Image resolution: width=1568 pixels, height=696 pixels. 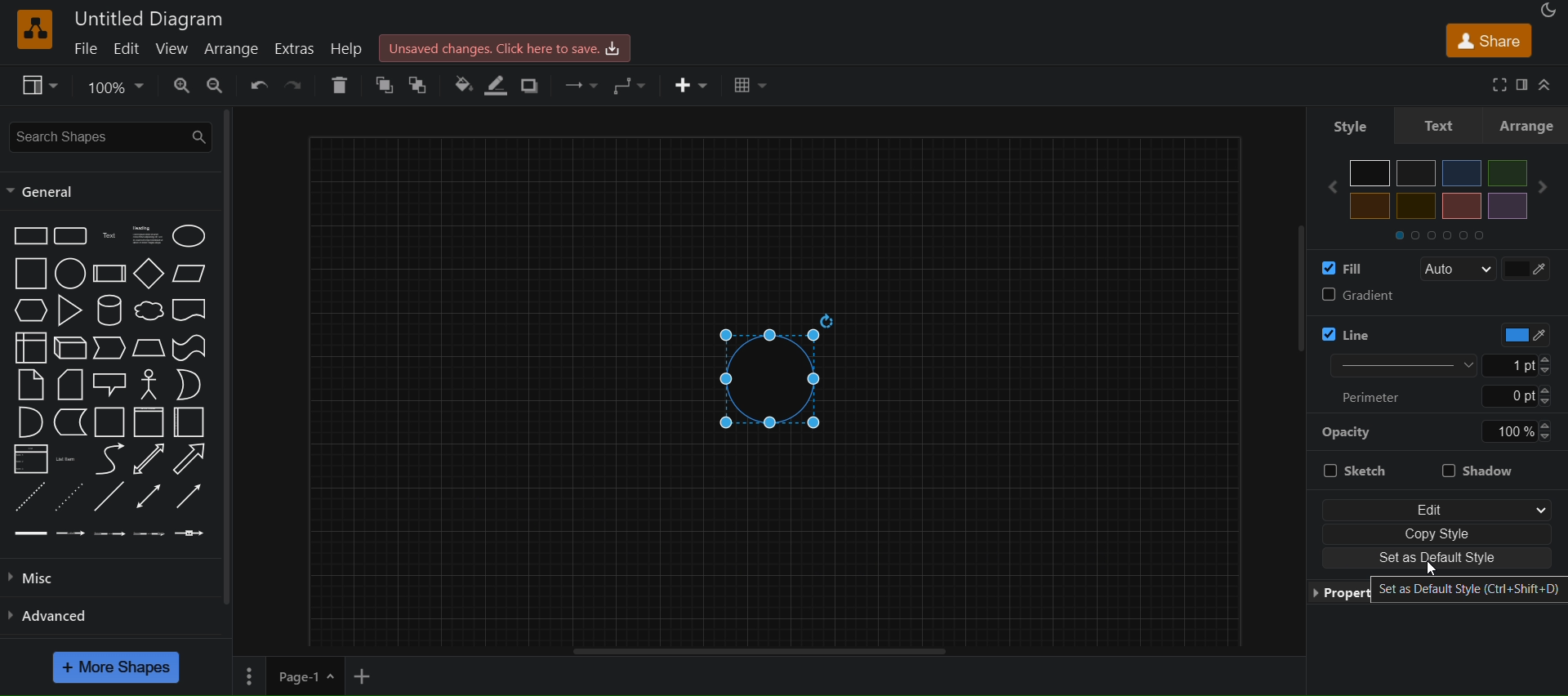 I want to click on color, so click(x=1530, y=267).